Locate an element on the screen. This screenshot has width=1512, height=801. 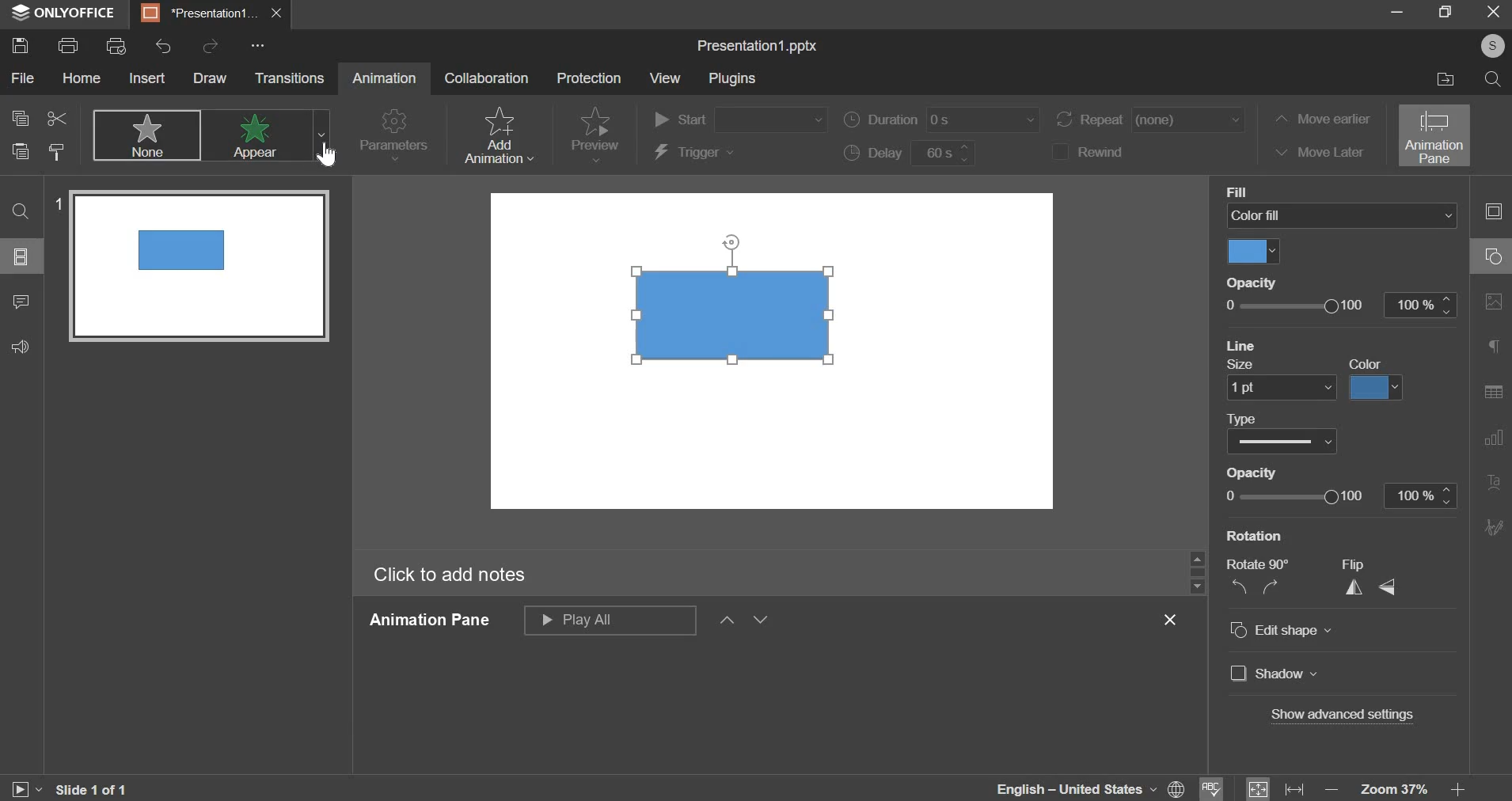
exit is located at coordinates (1491, 13).